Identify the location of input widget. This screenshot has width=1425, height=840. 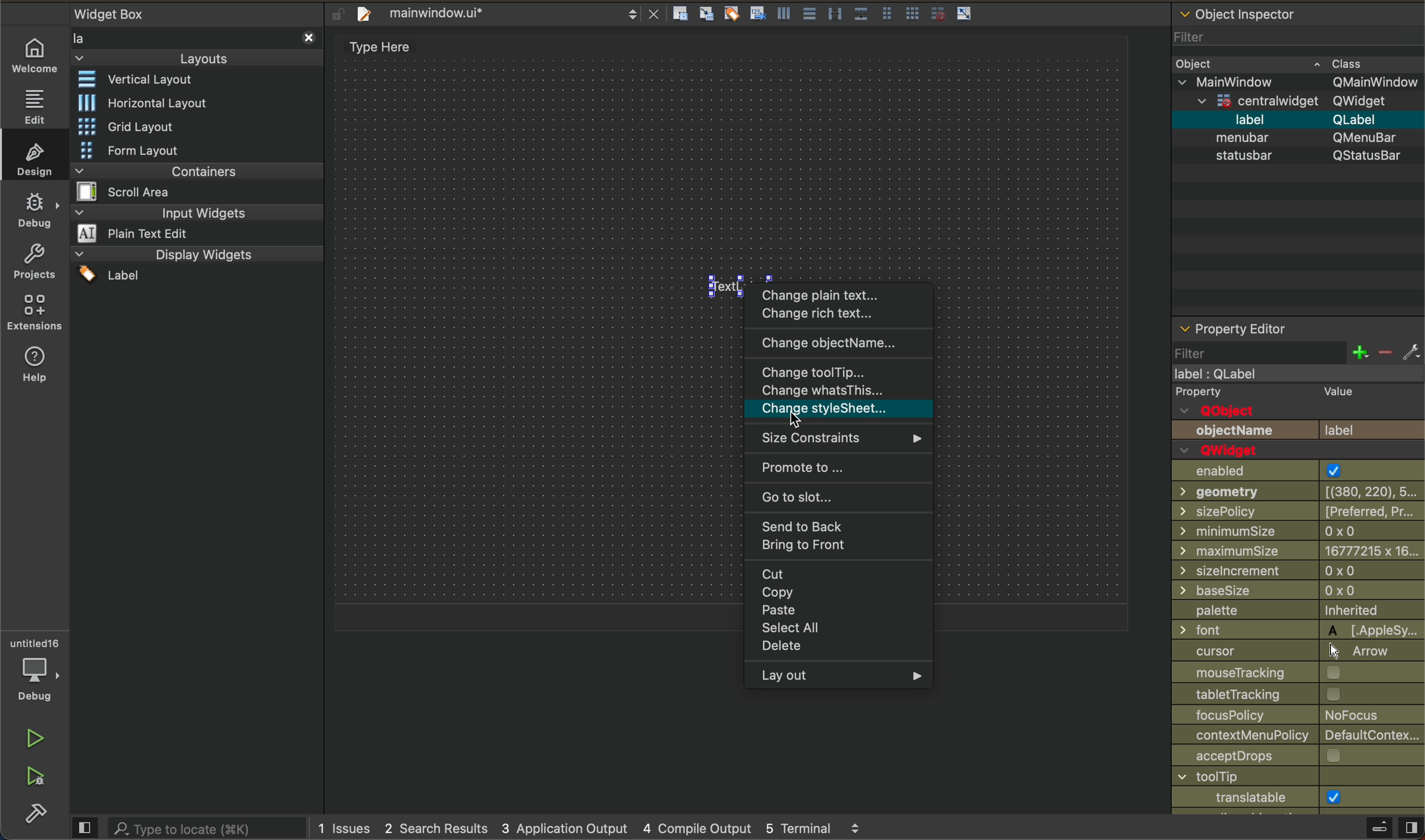
(195, 224).